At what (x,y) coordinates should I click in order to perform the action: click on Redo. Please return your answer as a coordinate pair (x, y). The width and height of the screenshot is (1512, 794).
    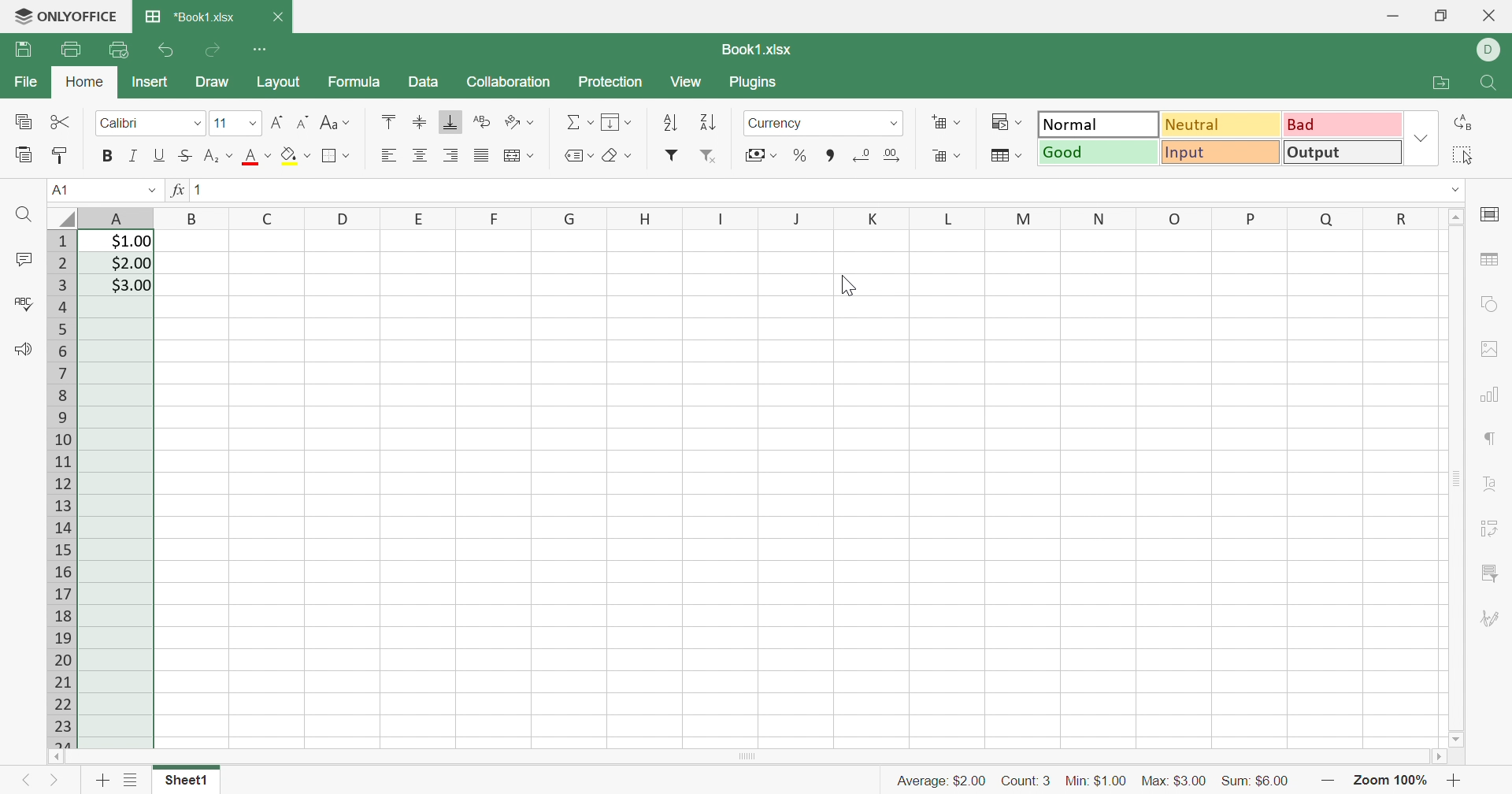
    Looking at the image, I should click on (215, 50).